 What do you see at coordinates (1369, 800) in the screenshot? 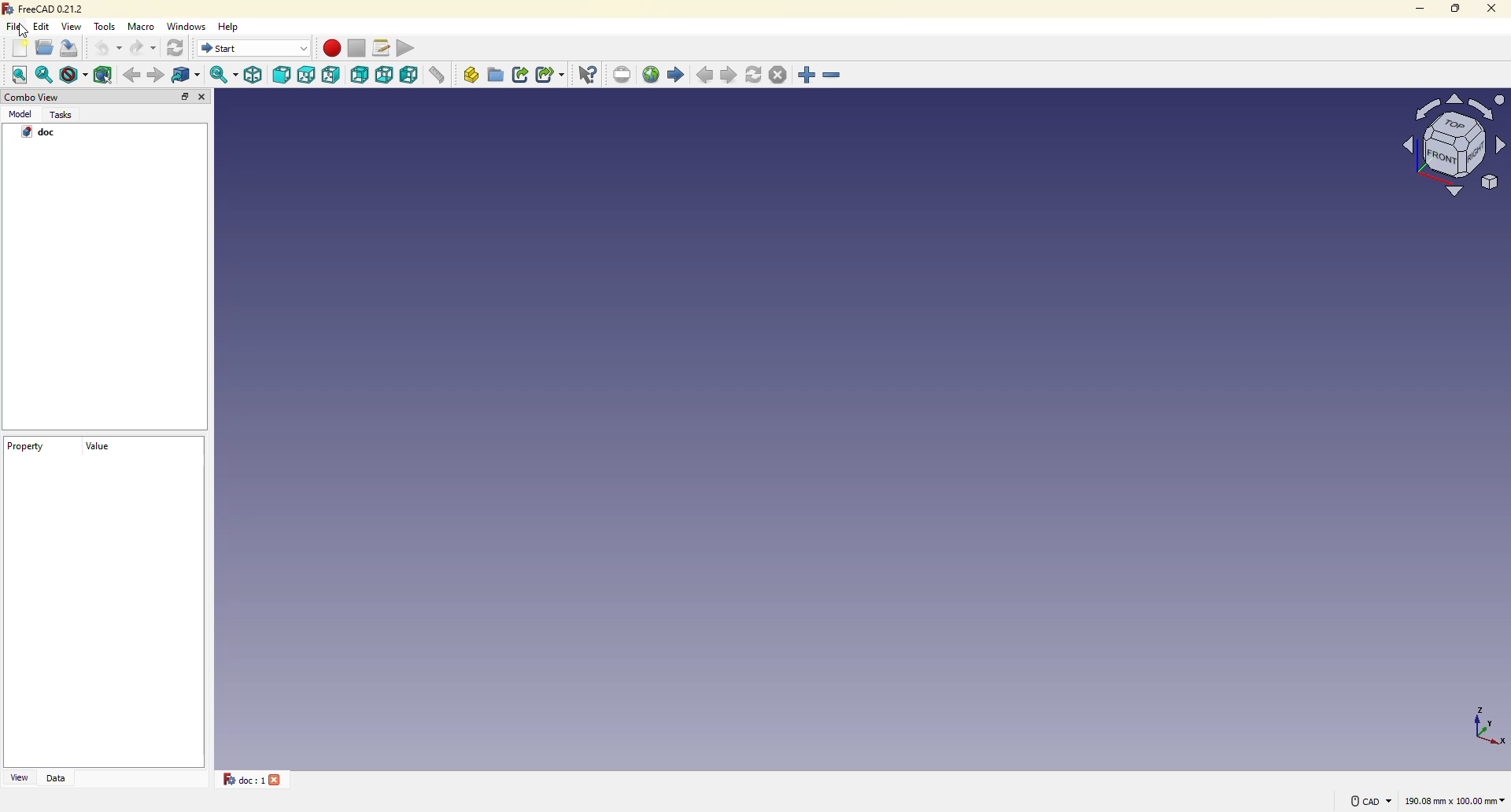
I see `cad navigation` at bounding box center [1369, 800].